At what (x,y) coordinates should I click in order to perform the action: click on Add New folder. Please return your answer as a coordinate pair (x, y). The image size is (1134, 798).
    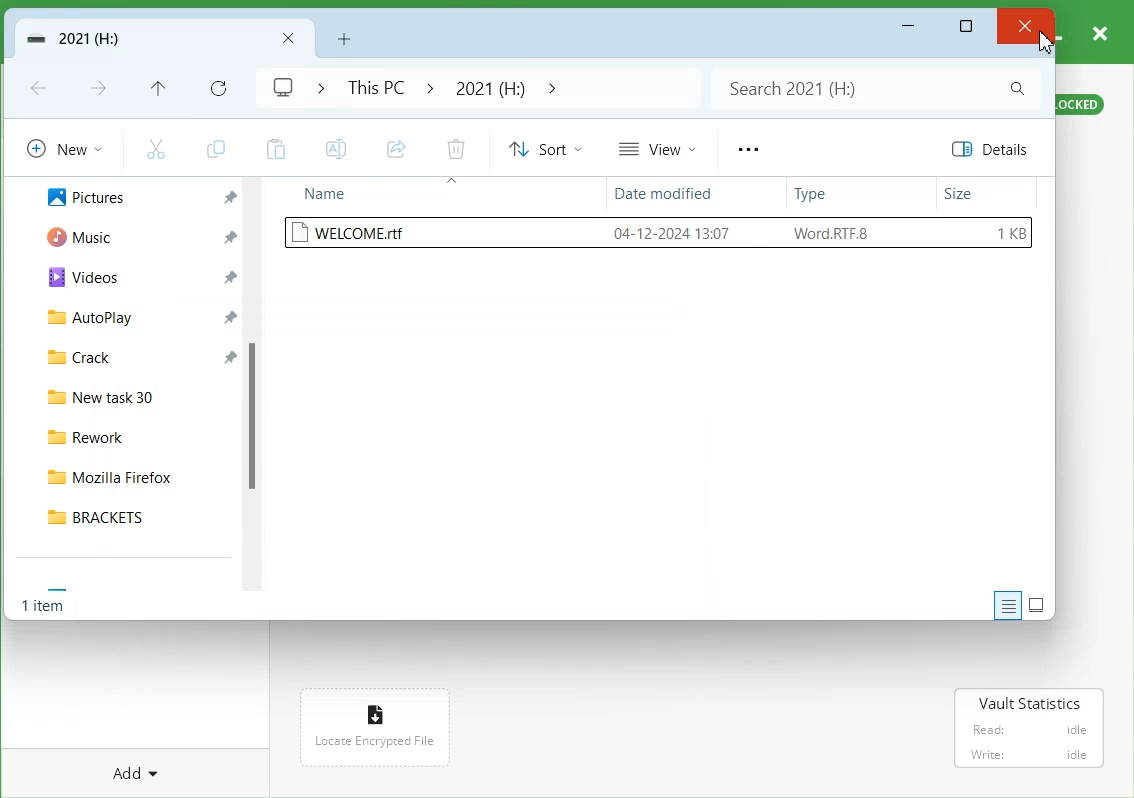
    Looking at the image, I should click on (344, 37).